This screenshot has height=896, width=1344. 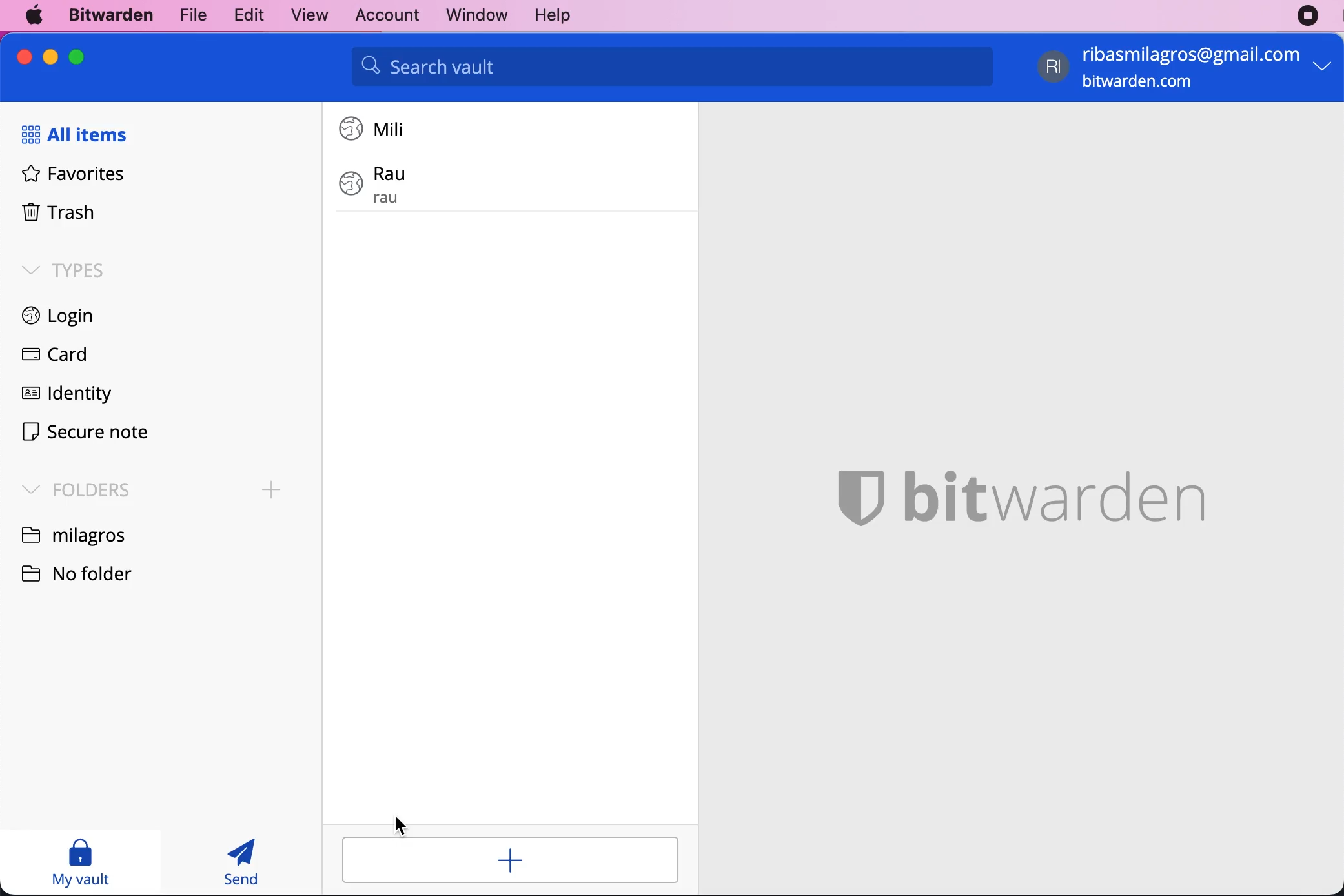 What do you see at coordinates (50, 318) in the screenshot?
I see `login` at bounding box center [50, 318].